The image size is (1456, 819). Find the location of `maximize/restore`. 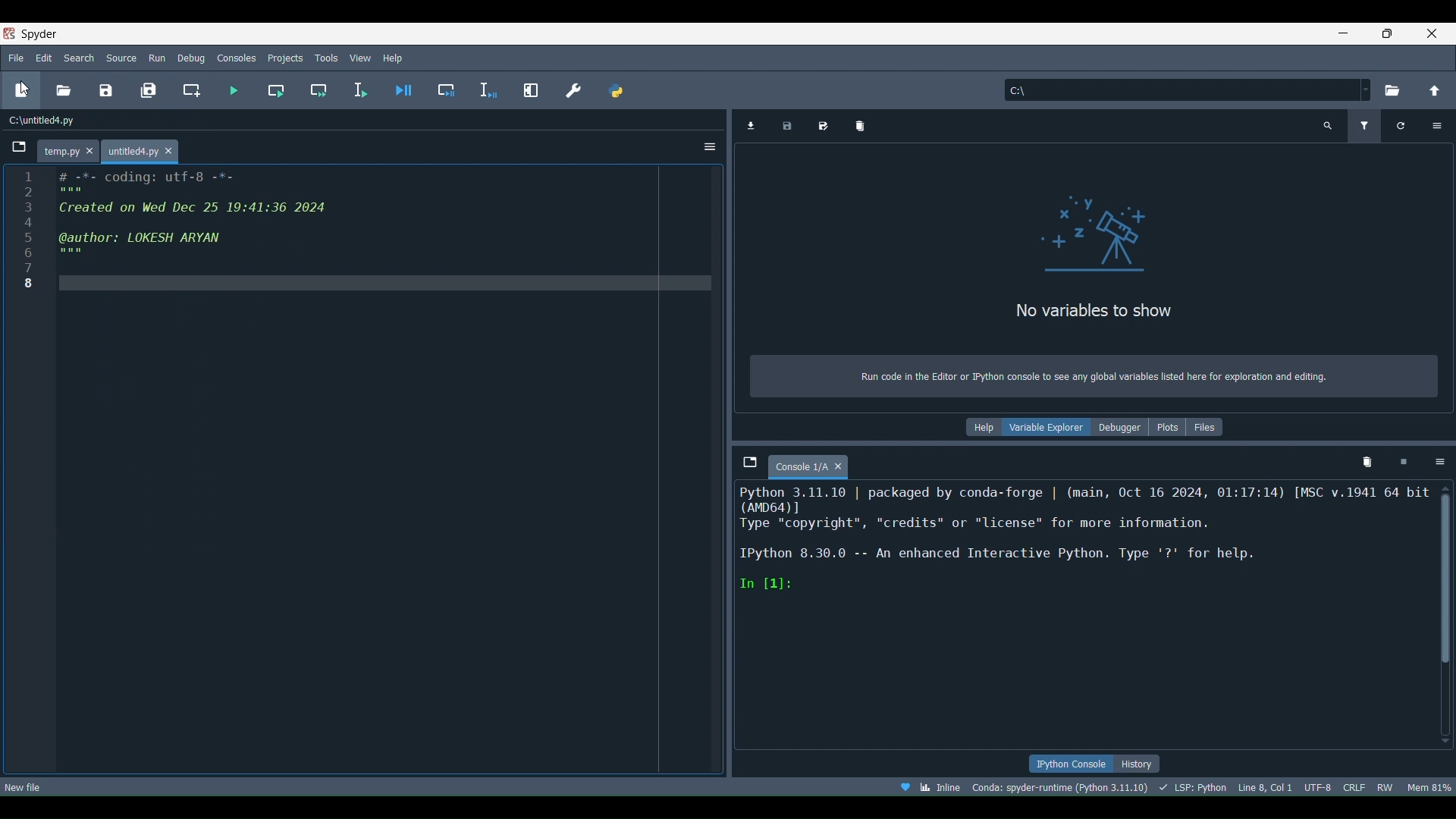

maximize/restore is located at coordinates (1385, 32).